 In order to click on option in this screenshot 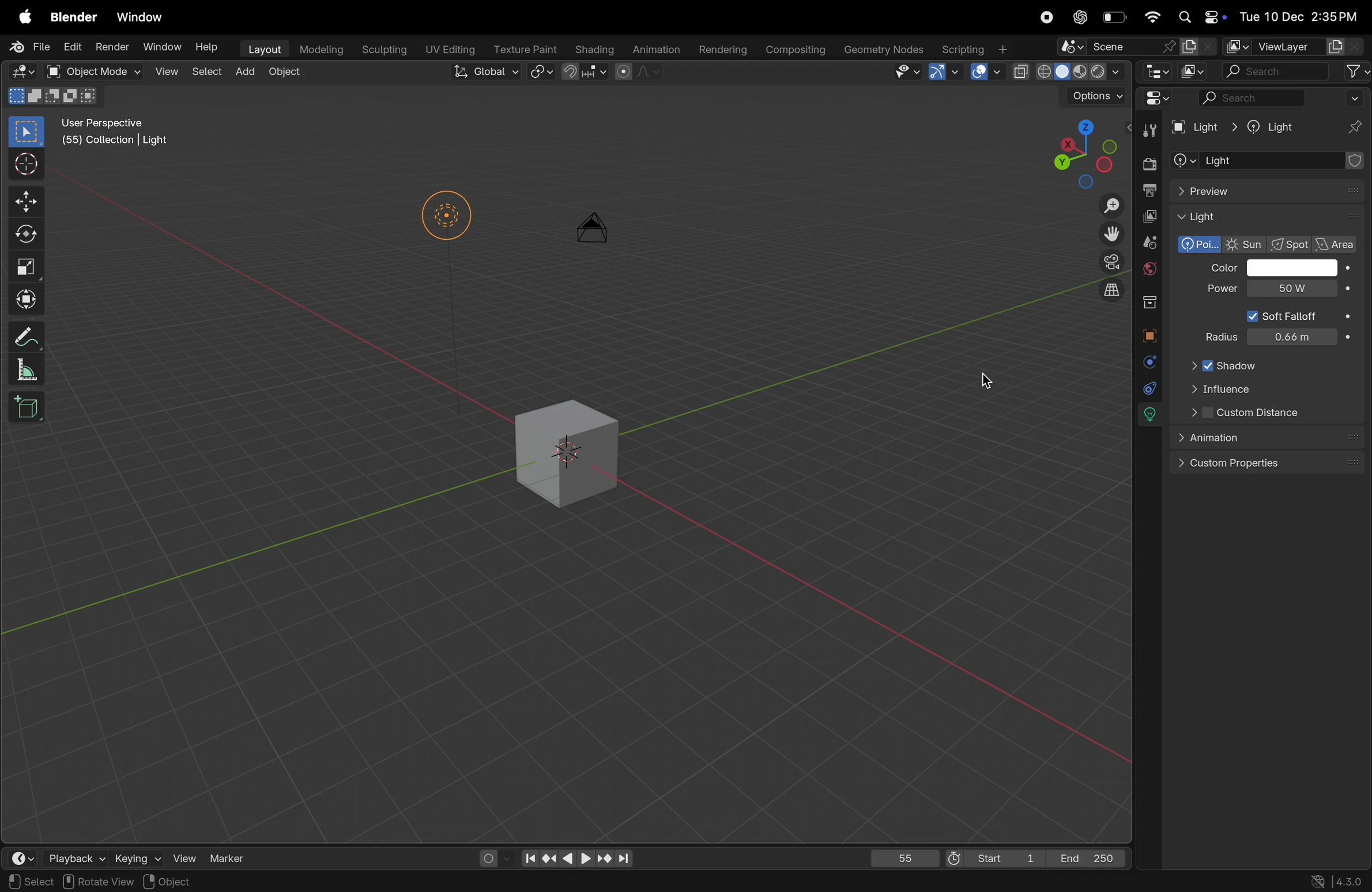, I will do `click(1094, 96)`.